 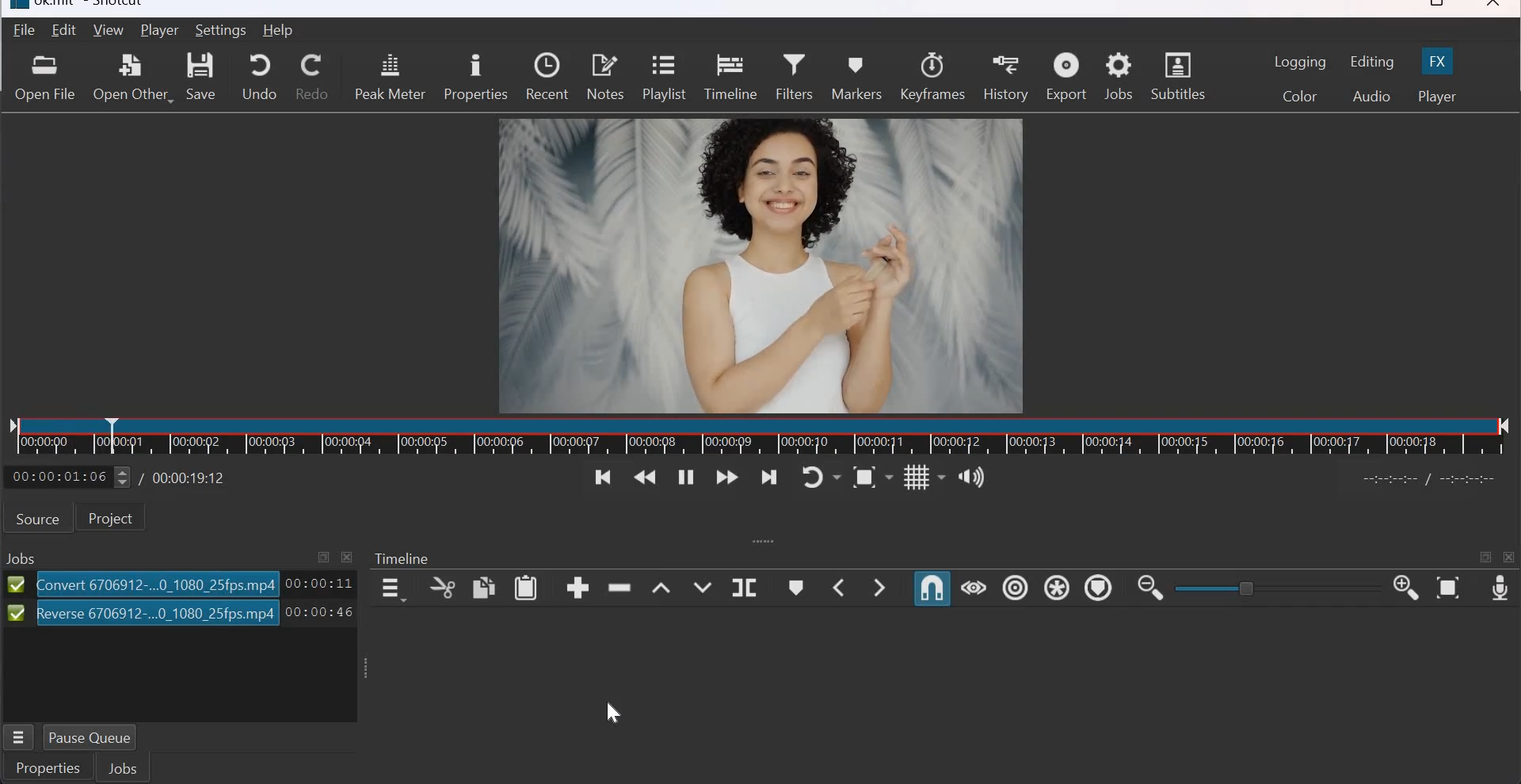 What do you see at coordinates (1439, 59) in the screenshot?
I see `FX` at bounding box center [1439, 59].